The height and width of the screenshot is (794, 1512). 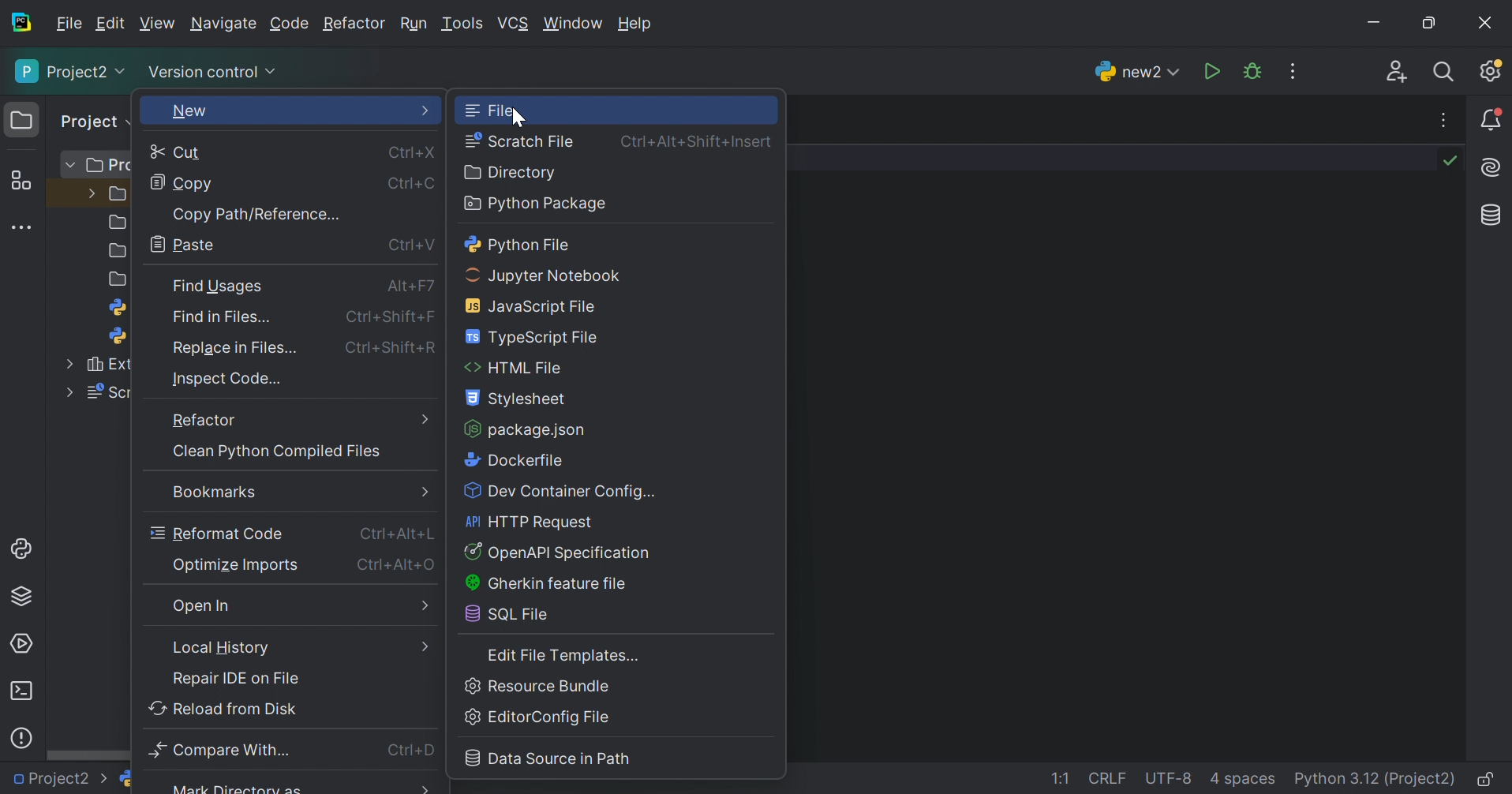 What do you see at coordinates (572, 24) in the screenshot?
I see `Window` at bounding box center [572, 24].